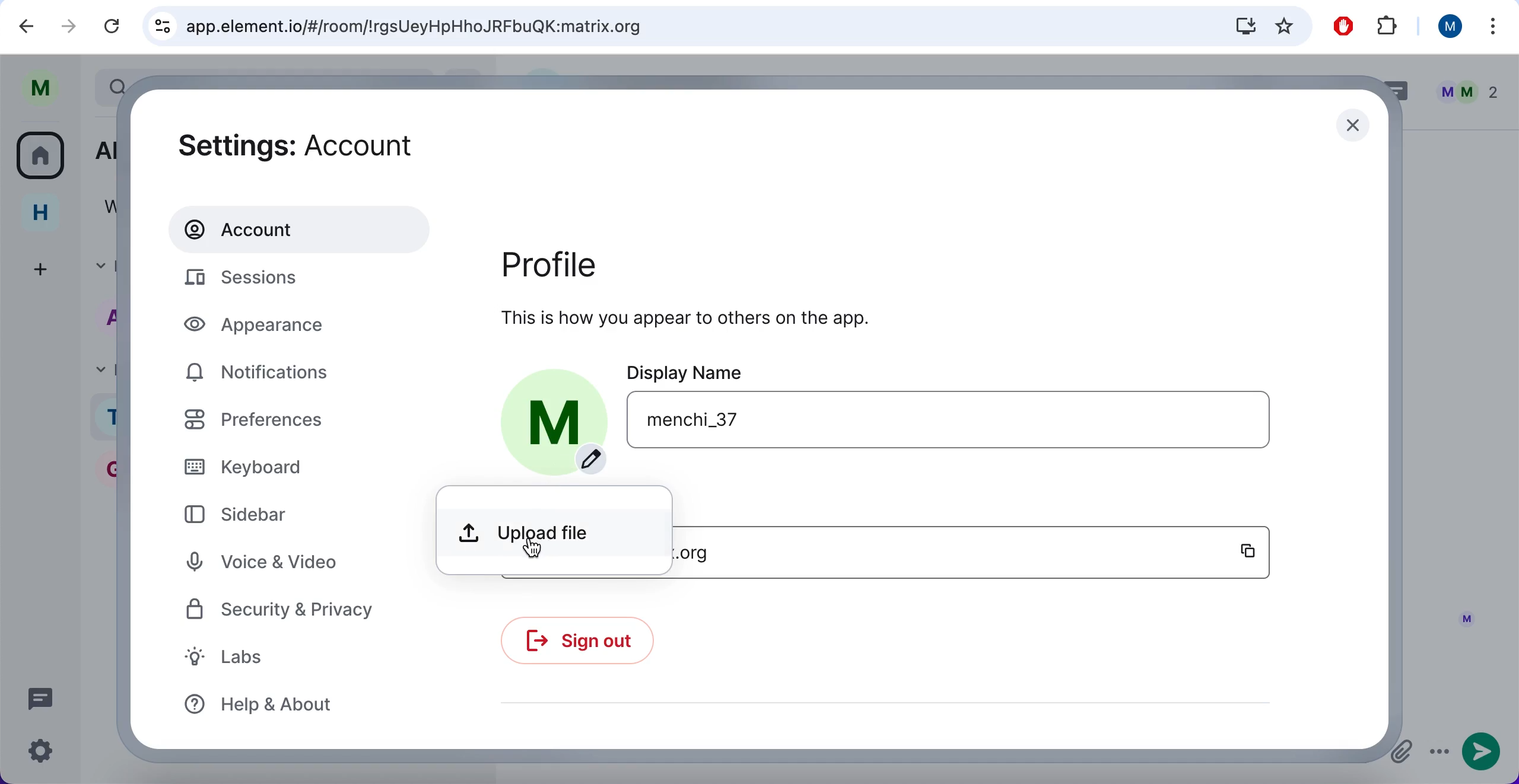  Describe the element at coordinates (989, 424) in the screenshot. I see `user` at that location.